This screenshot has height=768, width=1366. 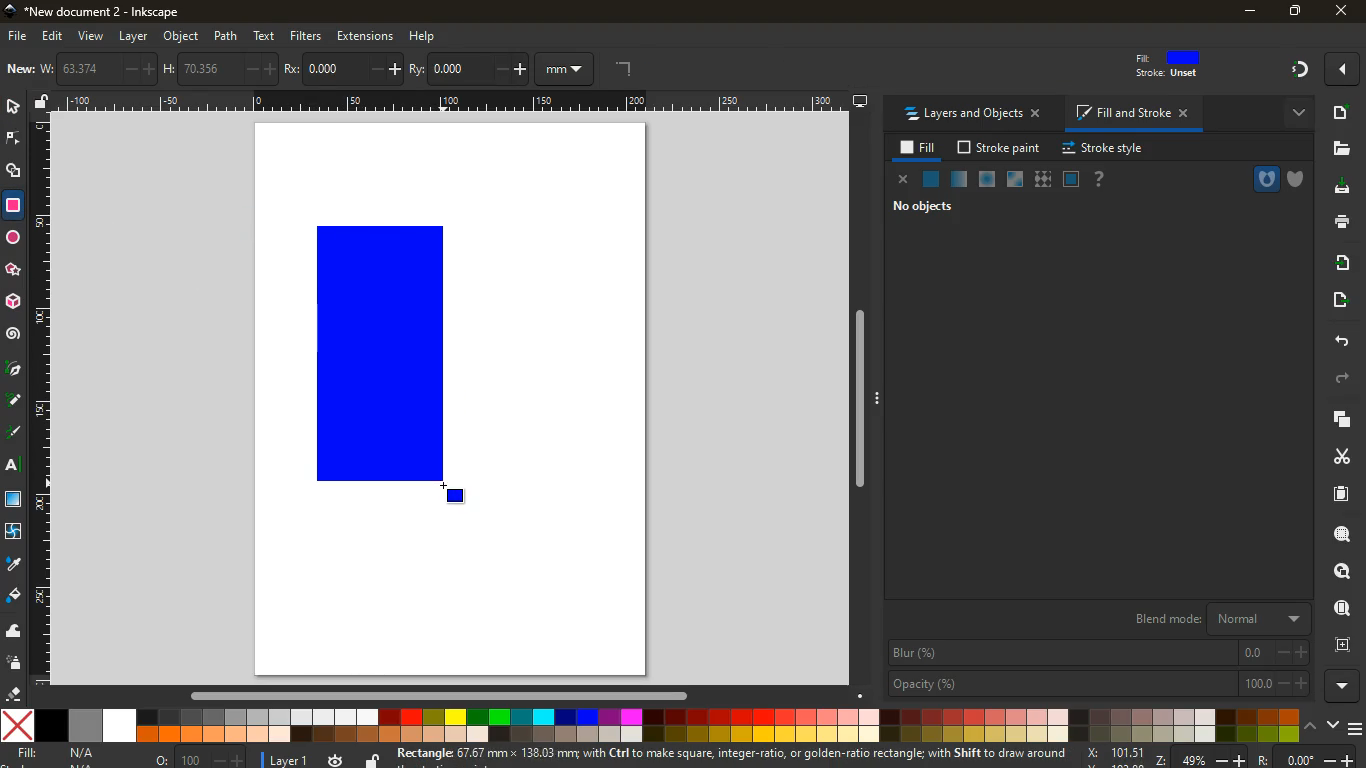 What do you see at coordinates (1098, 684) in the screenshot?
I see `opacity` at bounding box center [1098, 684].